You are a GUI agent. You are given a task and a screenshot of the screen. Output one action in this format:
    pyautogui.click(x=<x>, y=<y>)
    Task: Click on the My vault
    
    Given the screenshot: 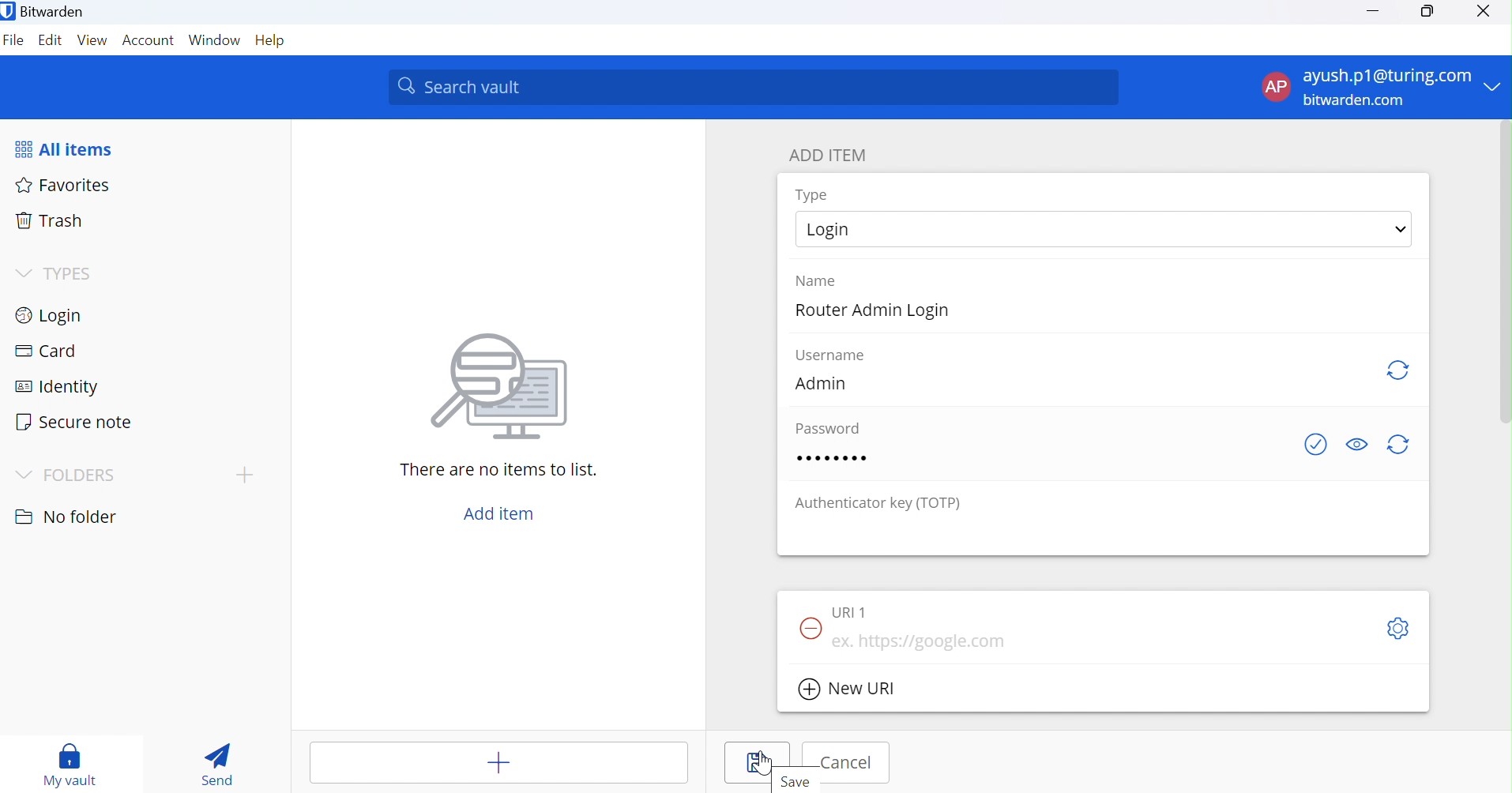 What is the action you would take?
    pyautogui.click(x=70, y=760)
    